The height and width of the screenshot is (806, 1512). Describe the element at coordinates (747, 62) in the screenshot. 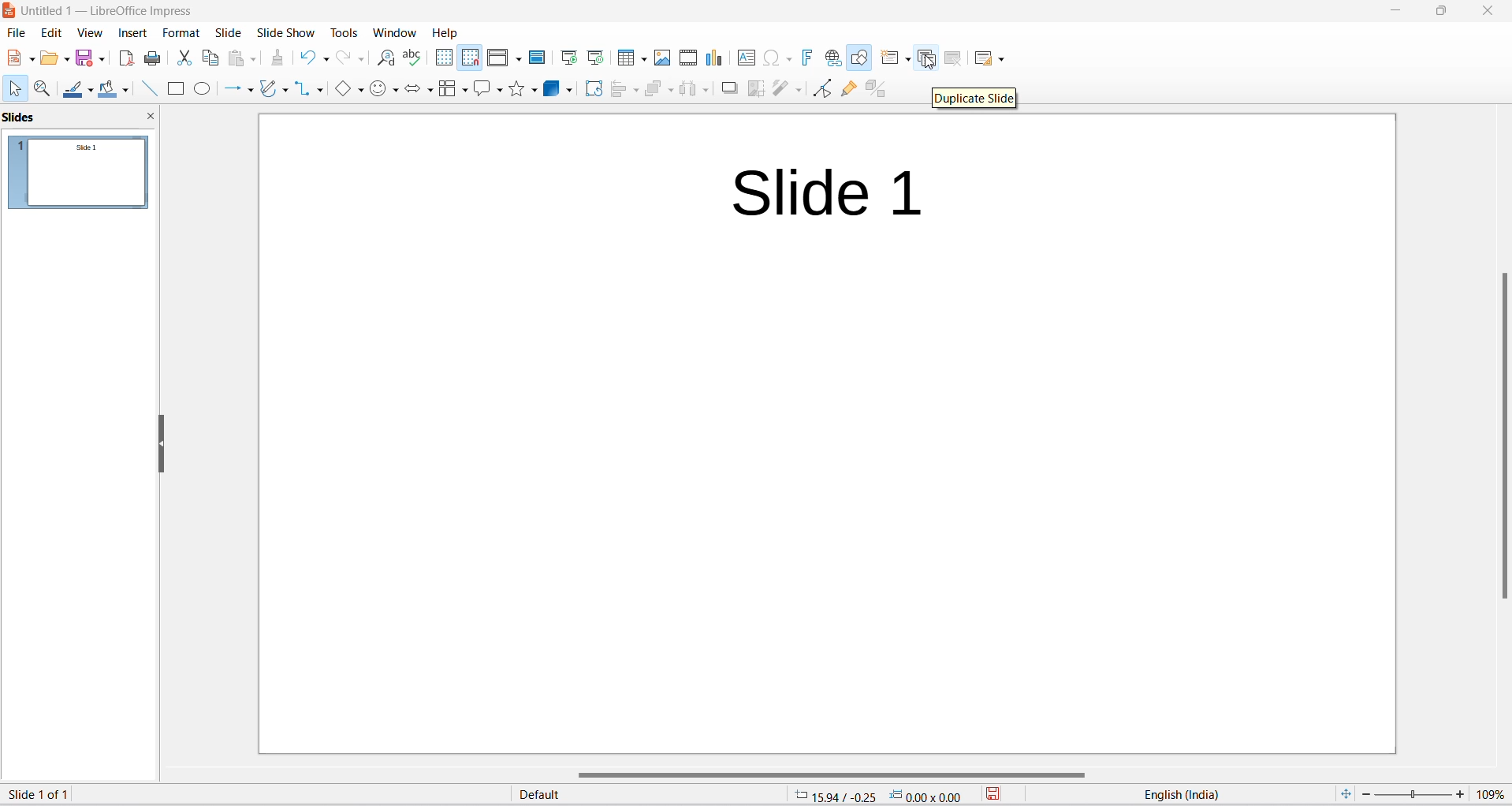

I see `insert text` at that location.